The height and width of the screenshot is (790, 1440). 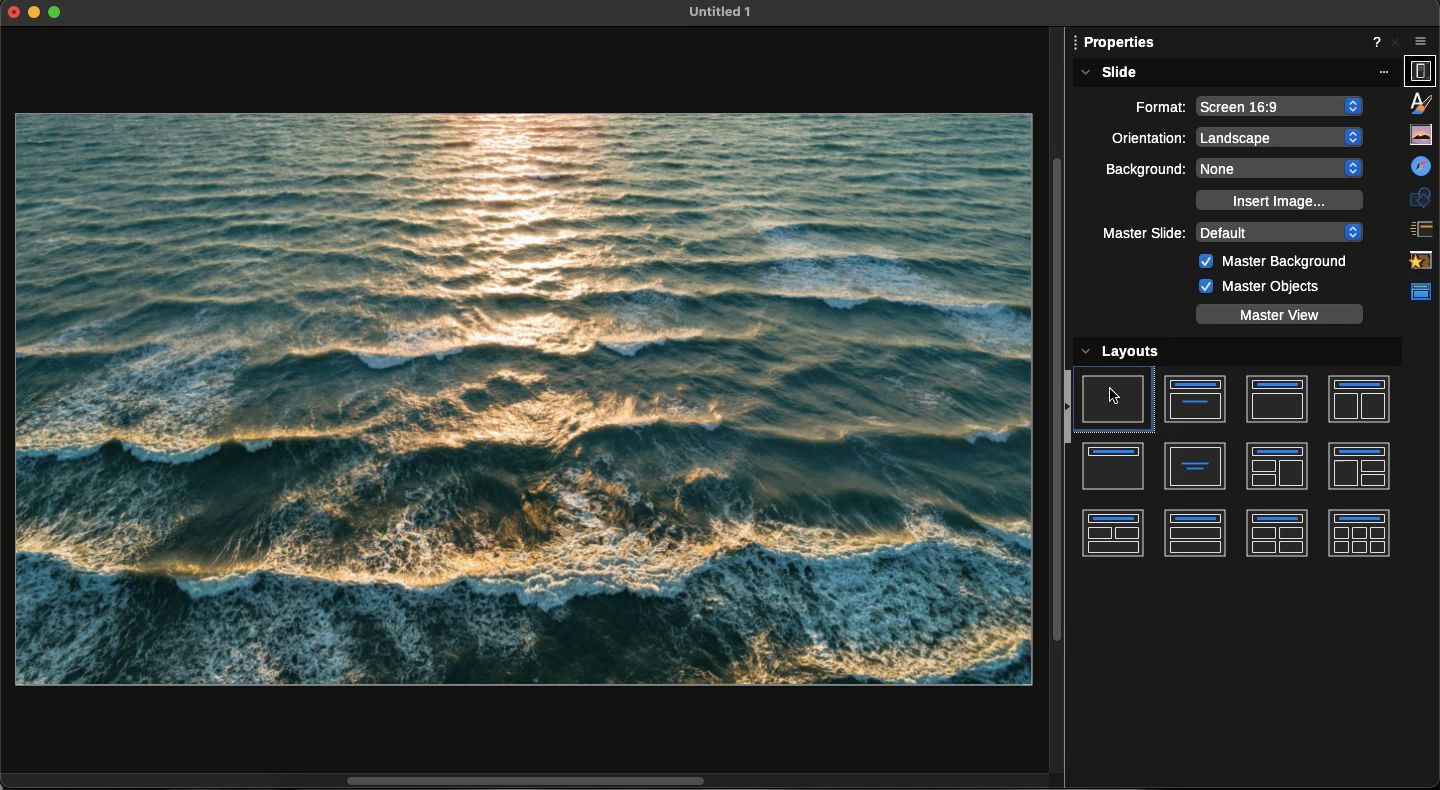 What do you see at coordinates (1238, 324) in the screenshot?
I see `Cursor` at bounding box center [1238, 324].